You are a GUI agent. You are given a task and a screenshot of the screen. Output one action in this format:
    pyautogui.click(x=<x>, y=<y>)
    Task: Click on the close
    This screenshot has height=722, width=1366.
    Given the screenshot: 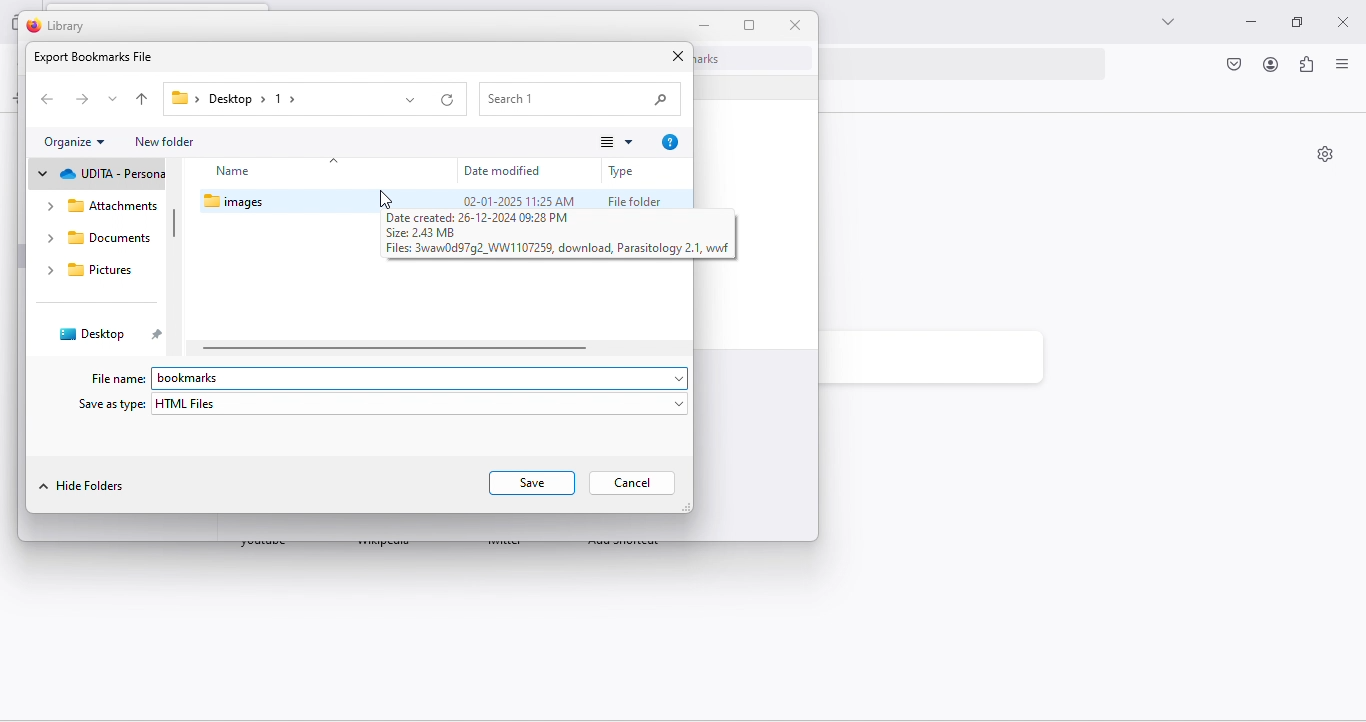 What is the action you would take?
    pyautogui.click(x=677, y=57)
    